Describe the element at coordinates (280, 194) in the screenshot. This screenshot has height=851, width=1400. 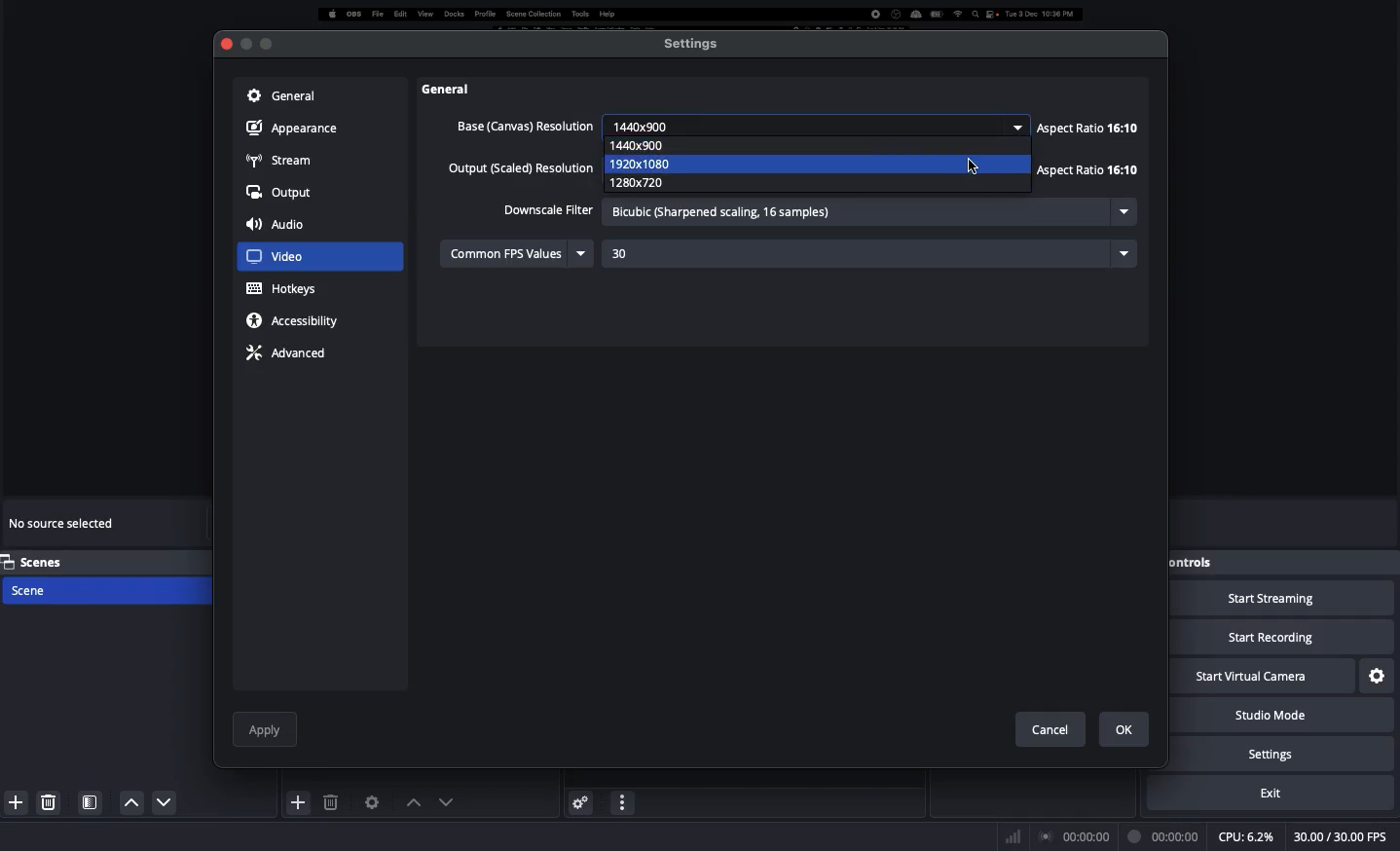
I see `Output` at that location.